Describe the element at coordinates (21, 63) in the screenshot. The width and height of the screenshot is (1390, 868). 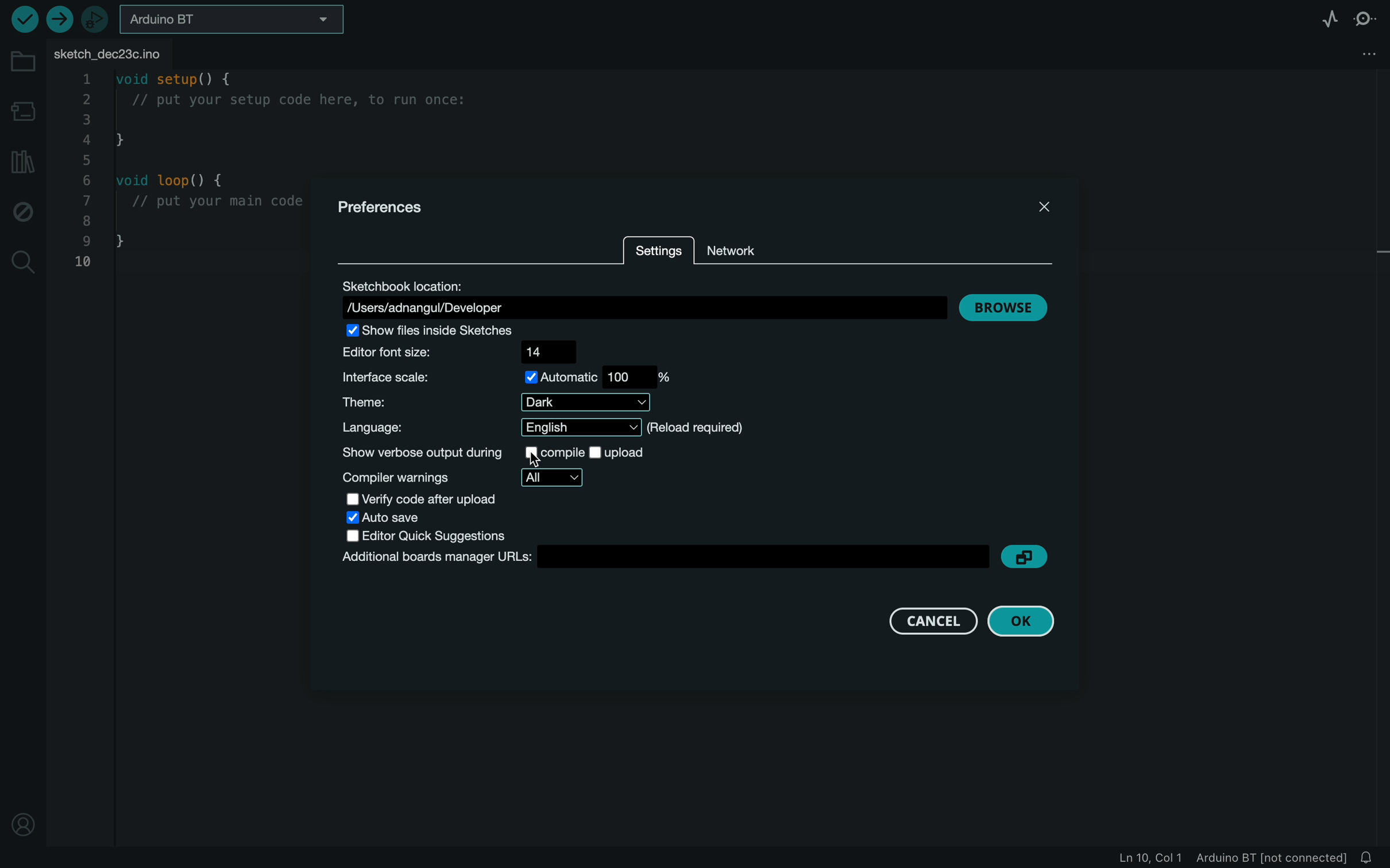
I see `folder` at that location.